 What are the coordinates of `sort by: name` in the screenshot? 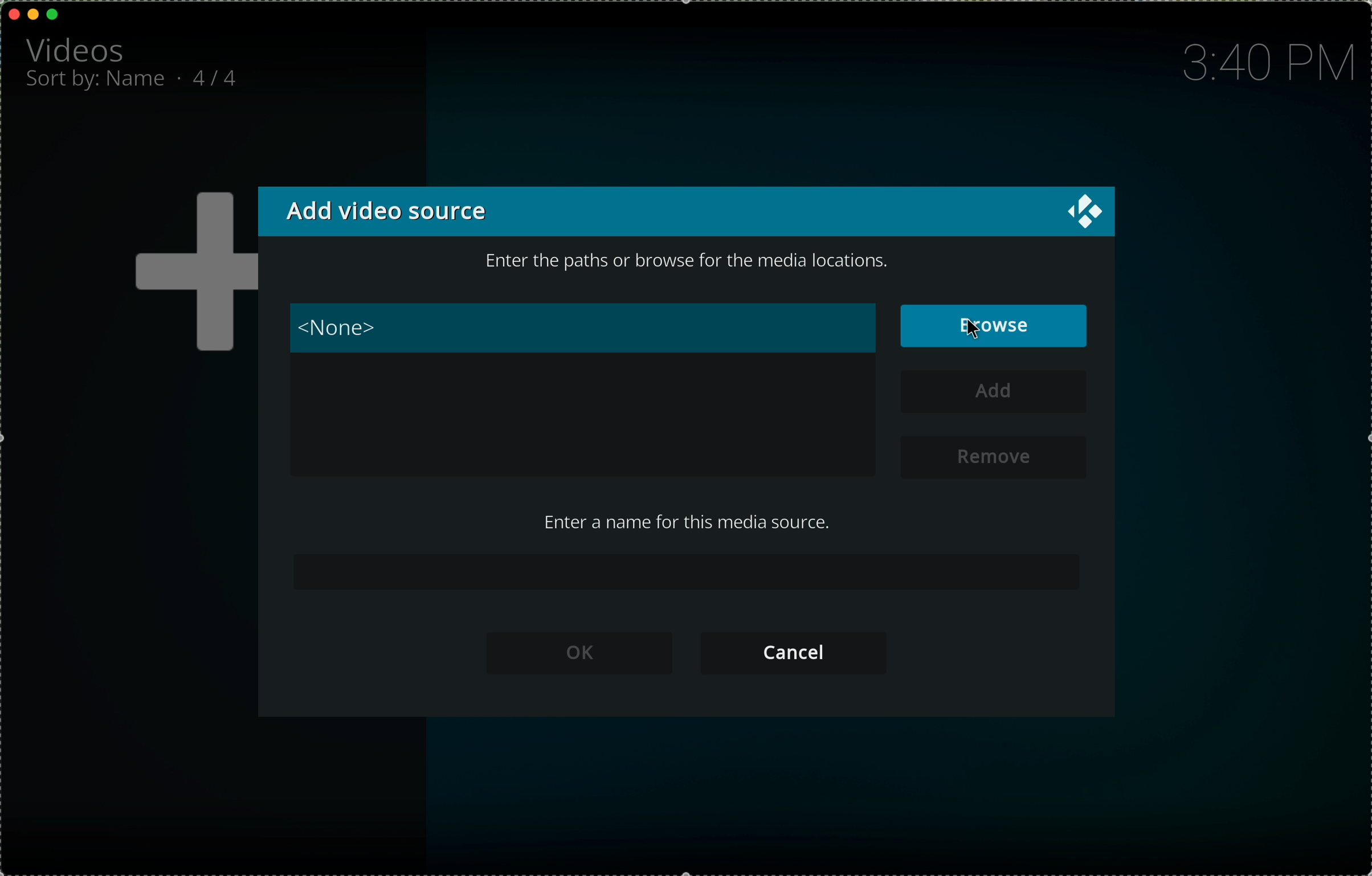 It's located at (97, 83).